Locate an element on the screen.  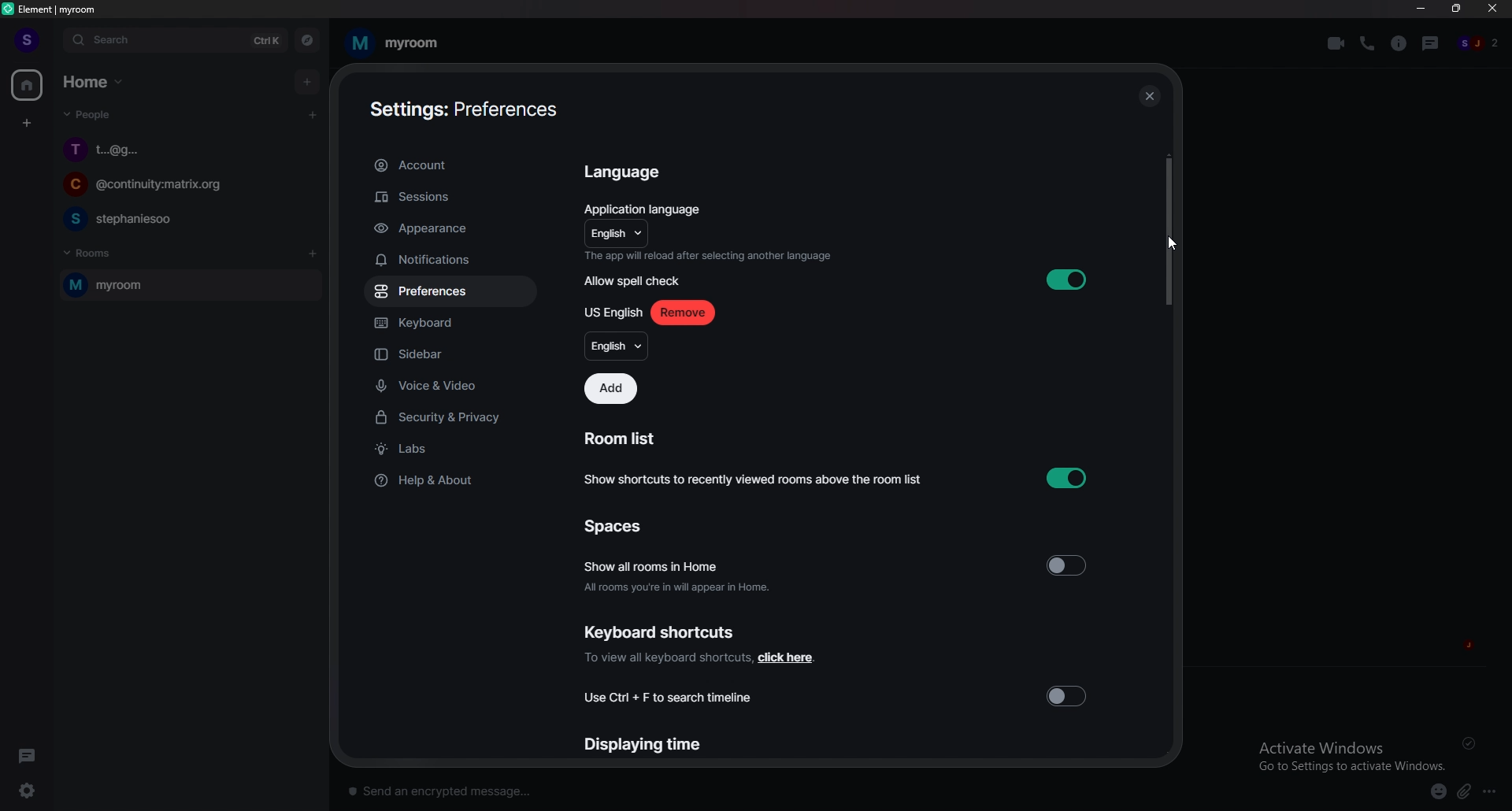
video call is located at coordinates (1336, 43).